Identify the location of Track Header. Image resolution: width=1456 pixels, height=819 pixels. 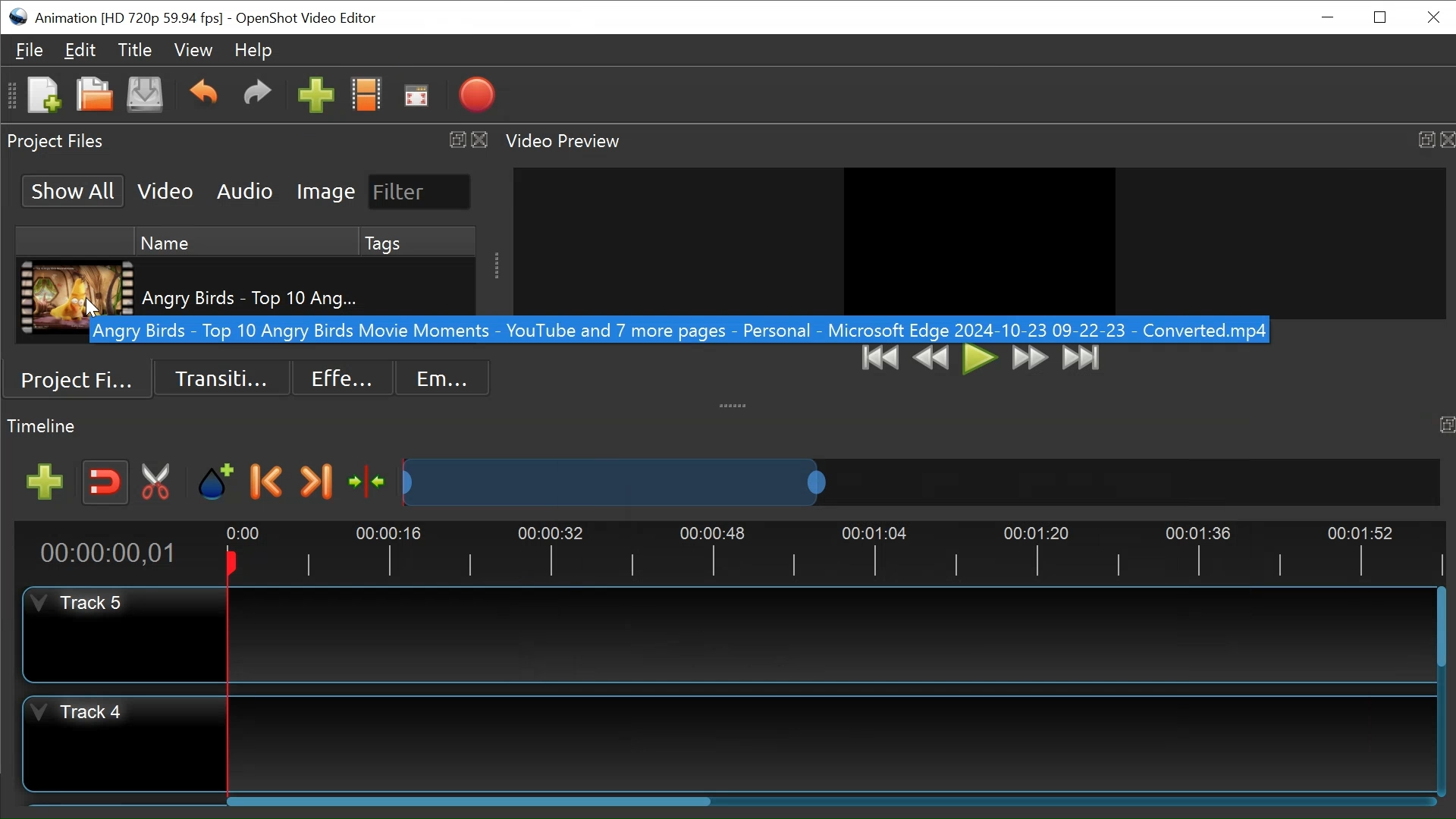
(125, 636).